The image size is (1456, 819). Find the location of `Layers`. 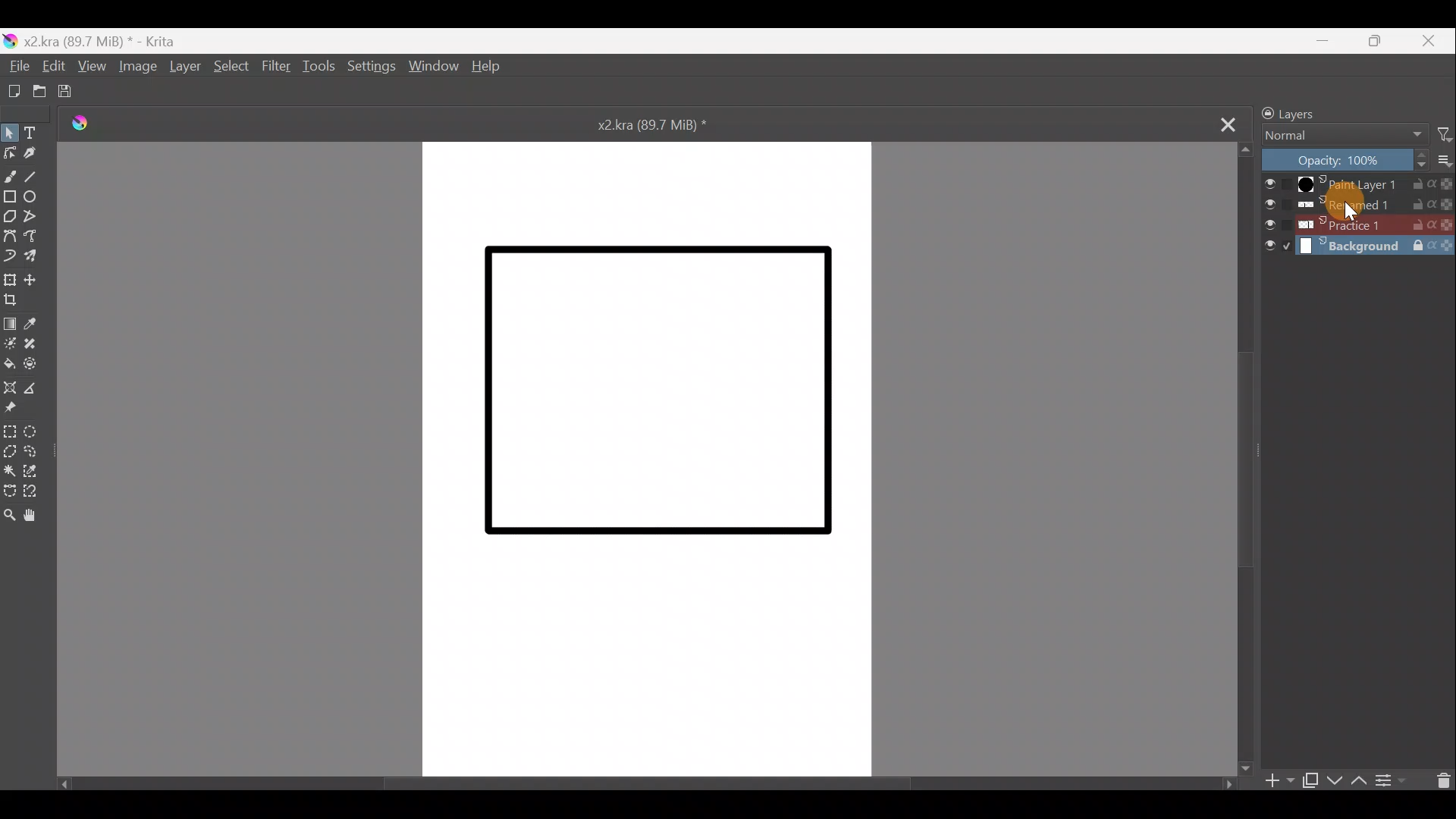

Layers is located at coordinates (1303, 111).